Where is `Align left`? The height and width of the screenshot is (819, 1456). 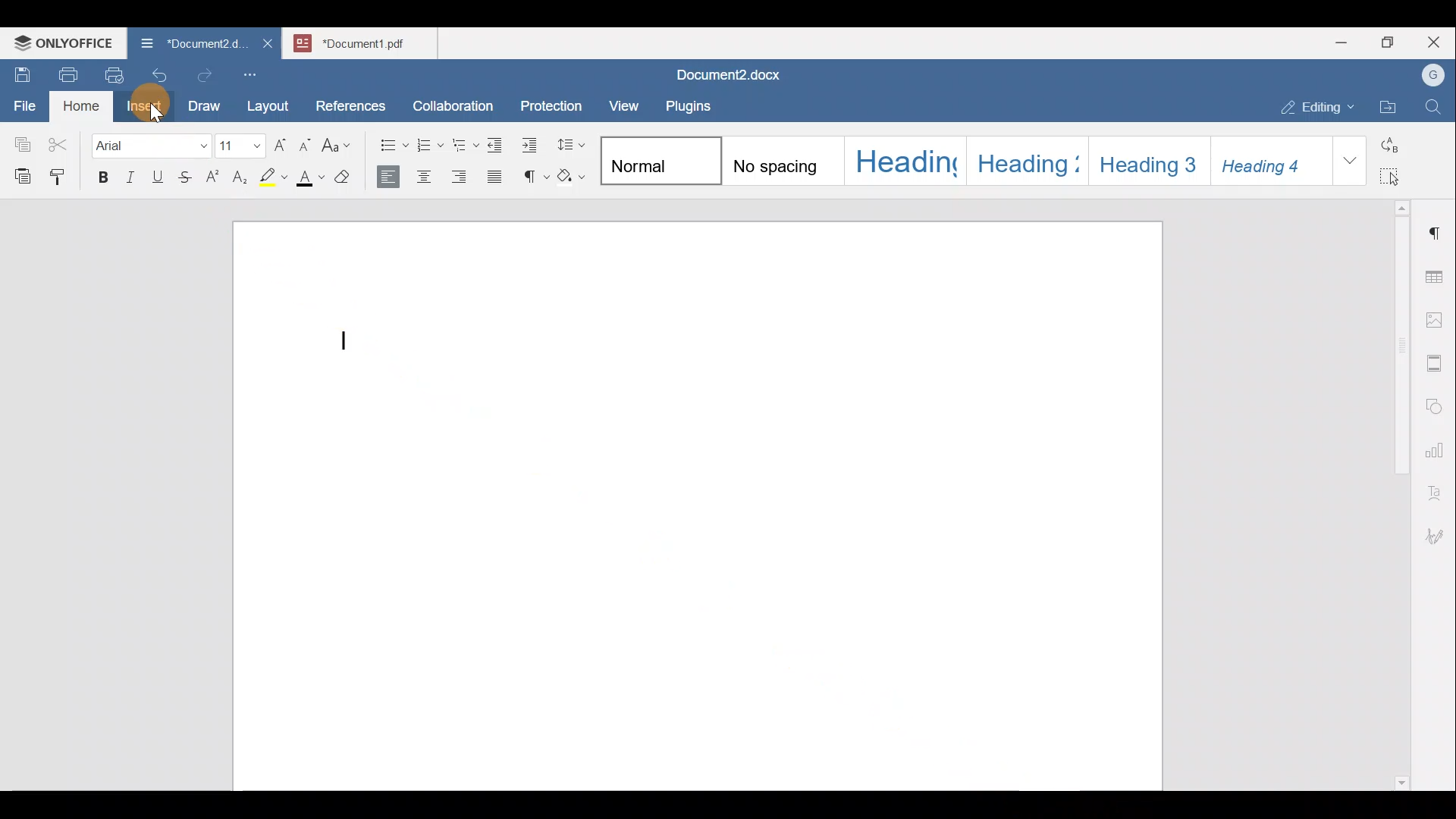
Align left is located at coordinates (391, 175).